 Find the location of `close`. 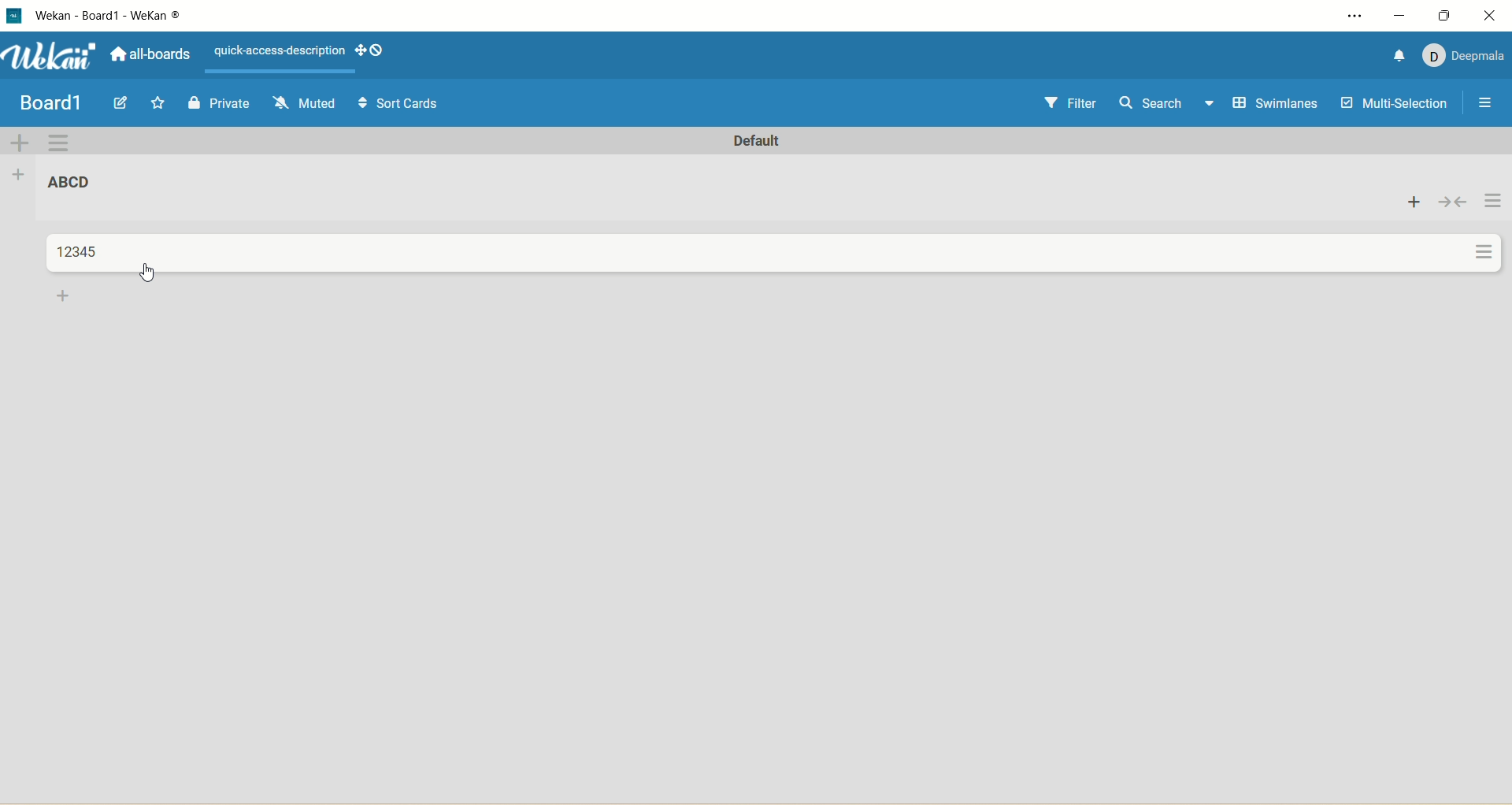

close is located at coordinates (1490, 15).